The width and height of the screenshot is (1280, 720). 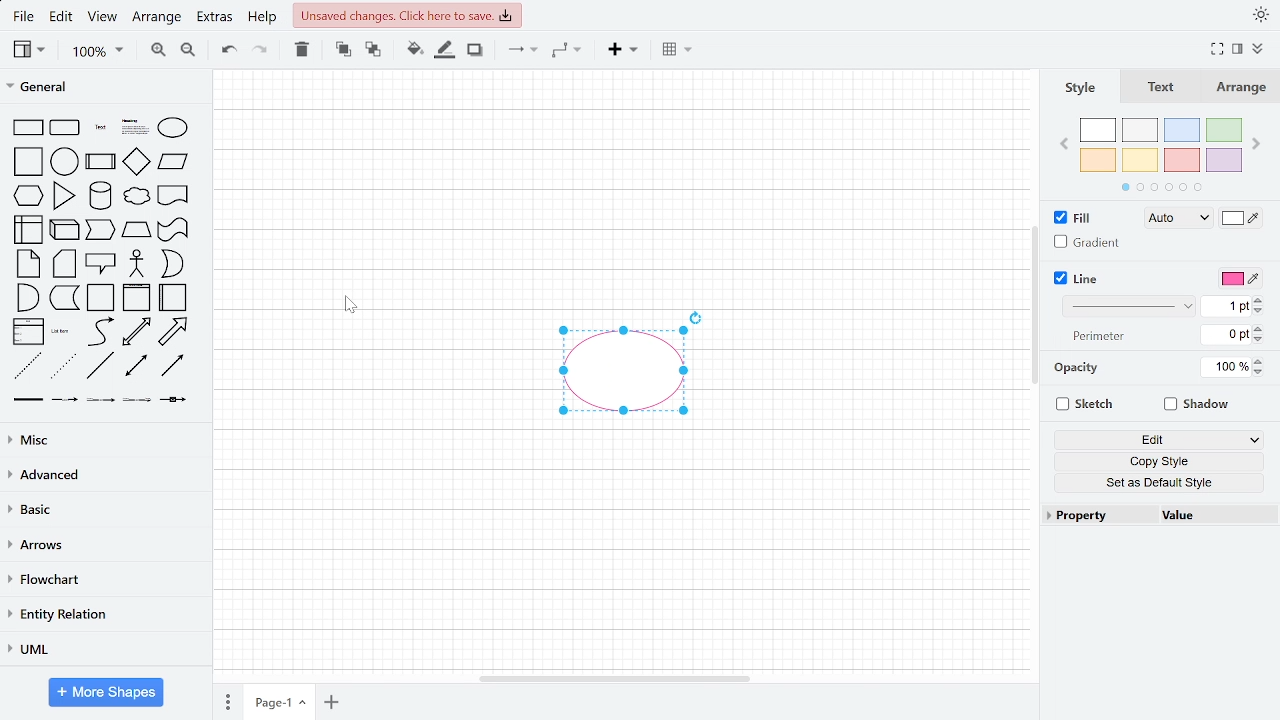 I want to click on entity relation, so click(x=99, y=616).